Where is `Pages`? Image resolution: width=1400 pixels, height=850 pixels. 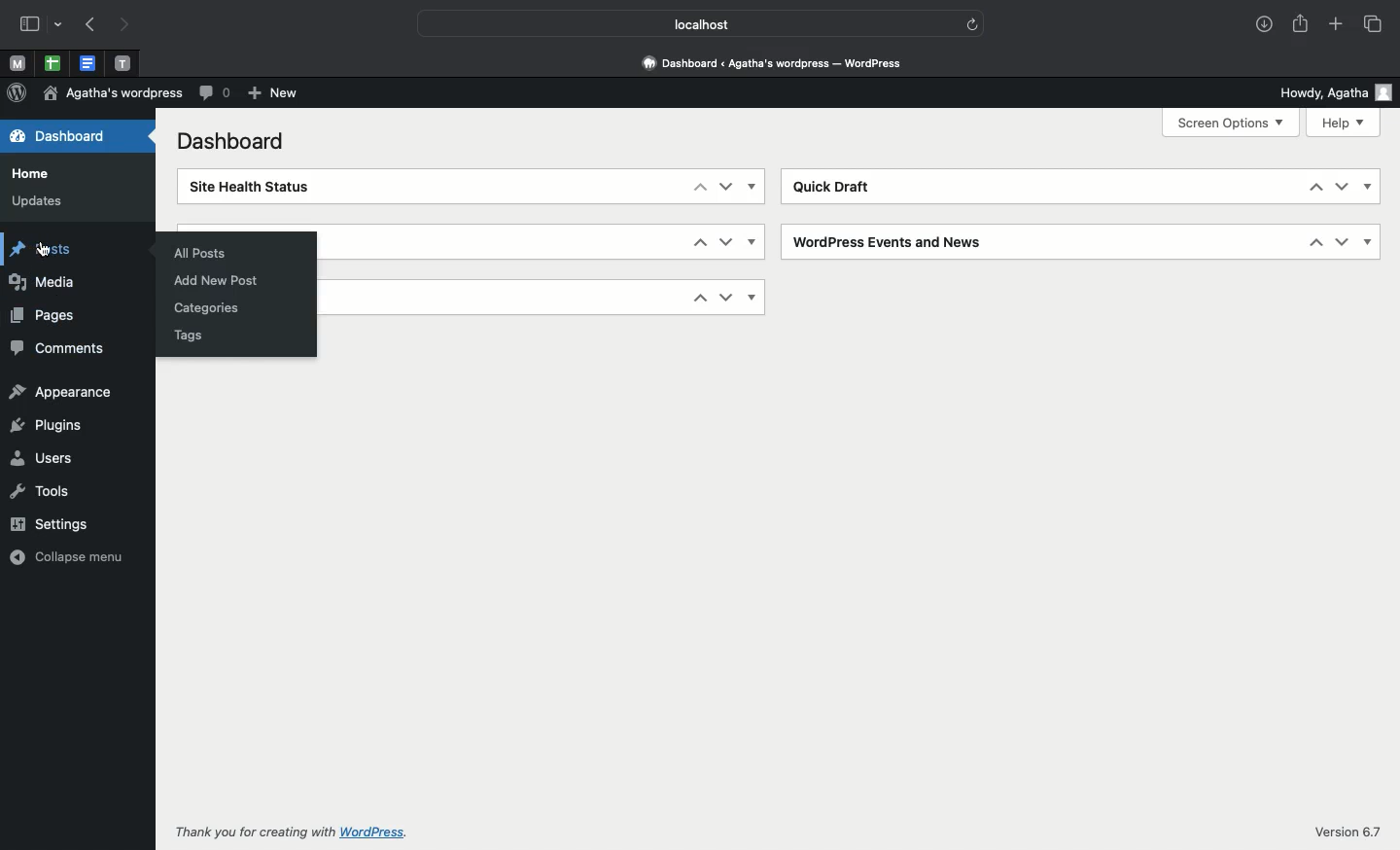 Pages is located at coordinates (45, 315).